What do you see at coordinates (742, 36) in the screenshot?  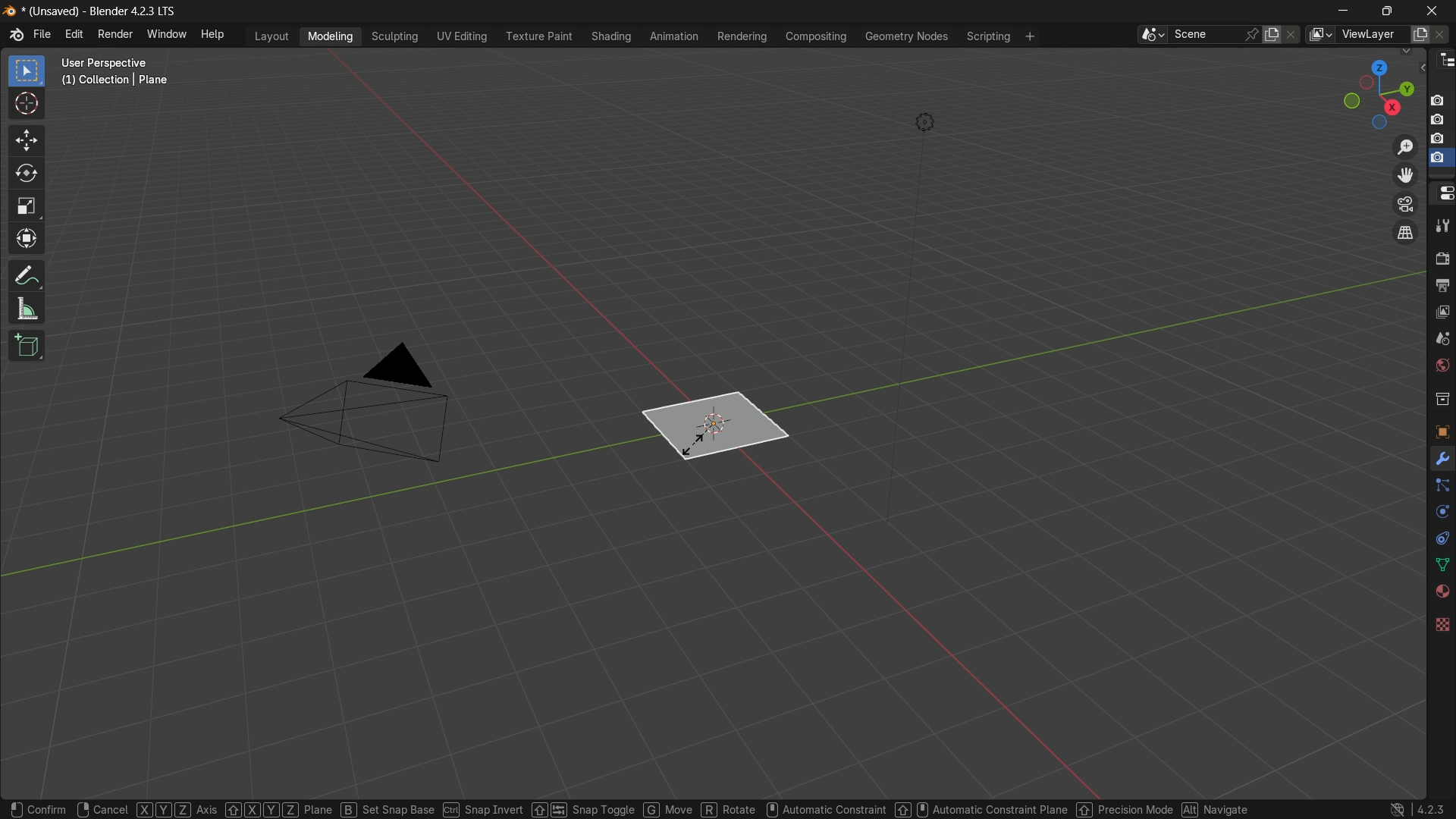 I see `rendering` at bounding box center [742, 36].